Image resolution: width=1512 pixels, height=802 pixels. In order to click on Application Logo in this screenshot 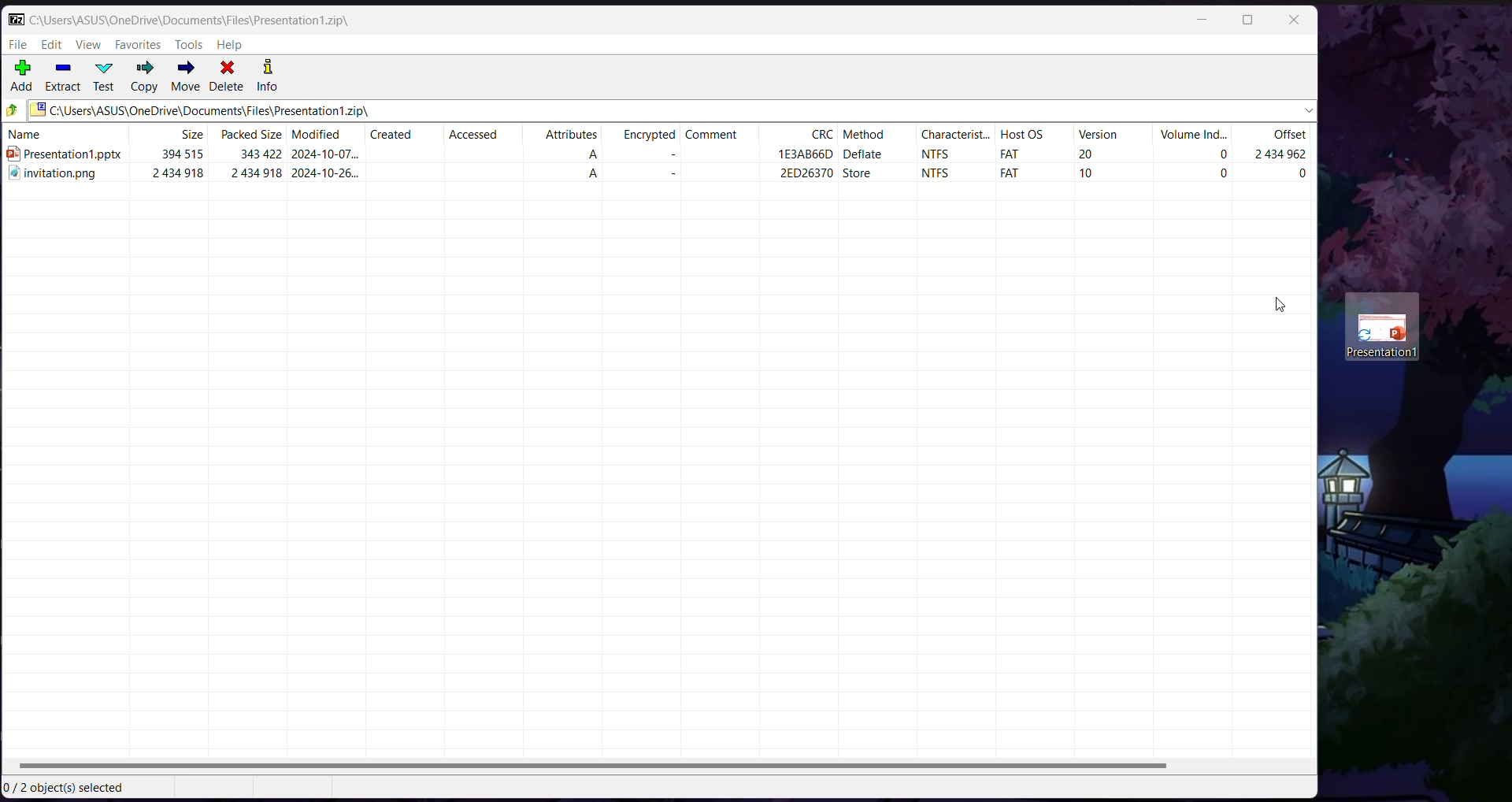, I will do `click(13, 20)`.